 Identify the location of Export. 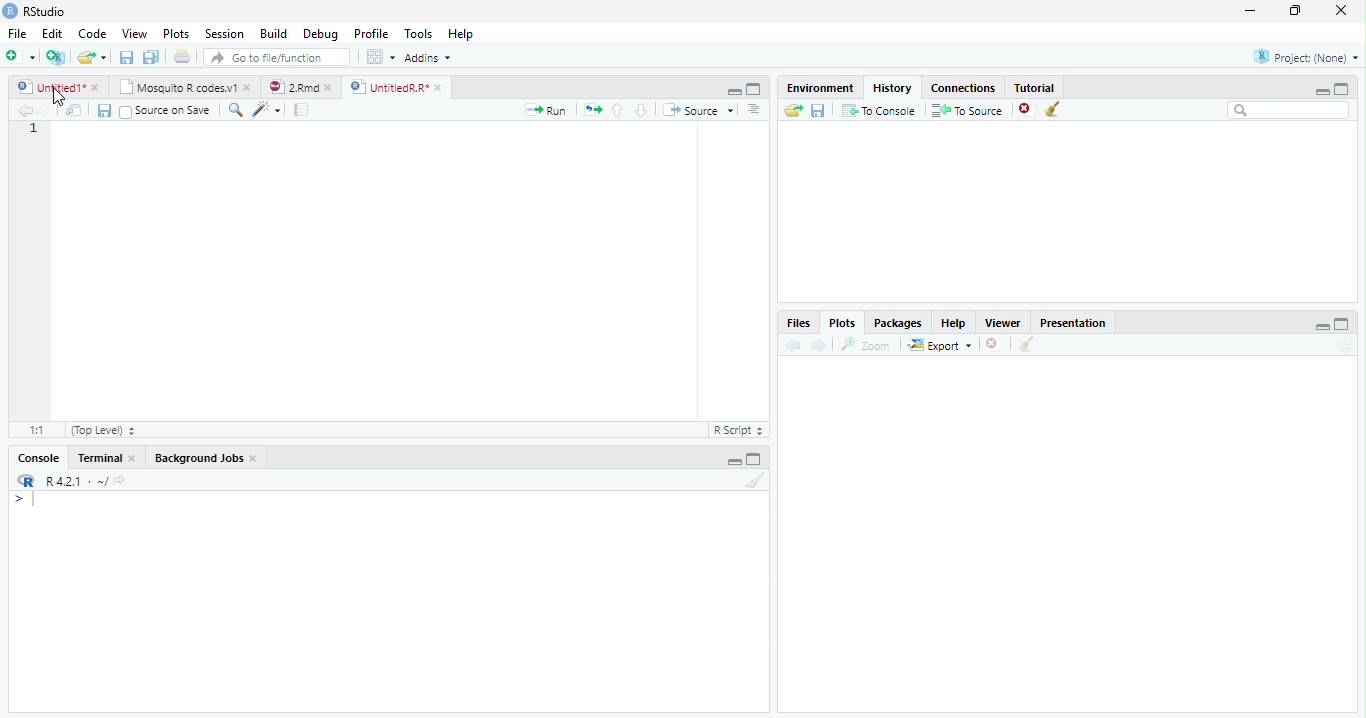
(941, 345).